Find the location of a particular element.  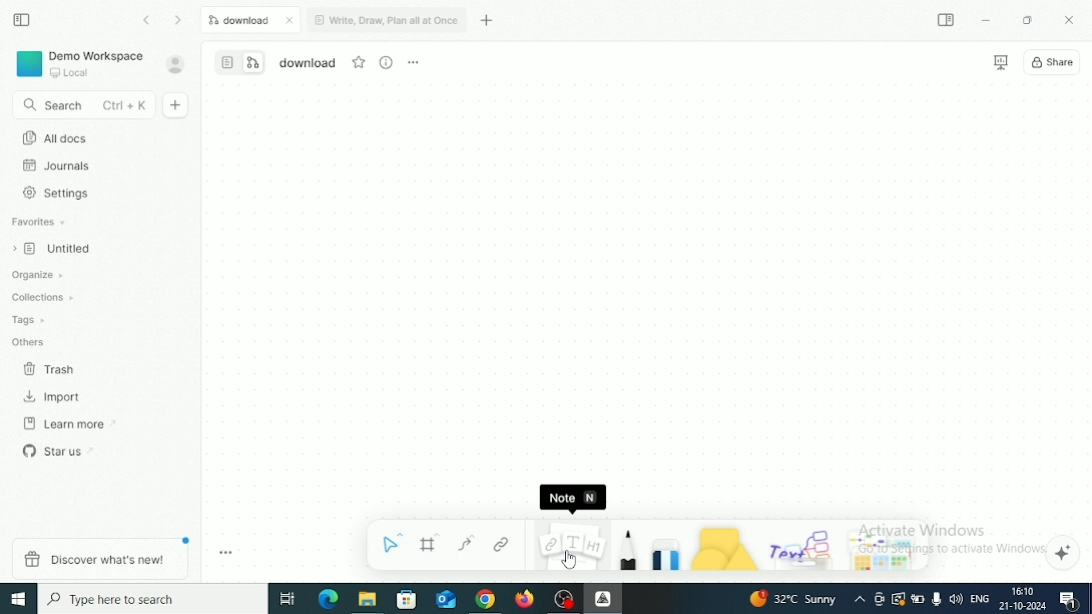

Frame is located at coordinates (432, 543).